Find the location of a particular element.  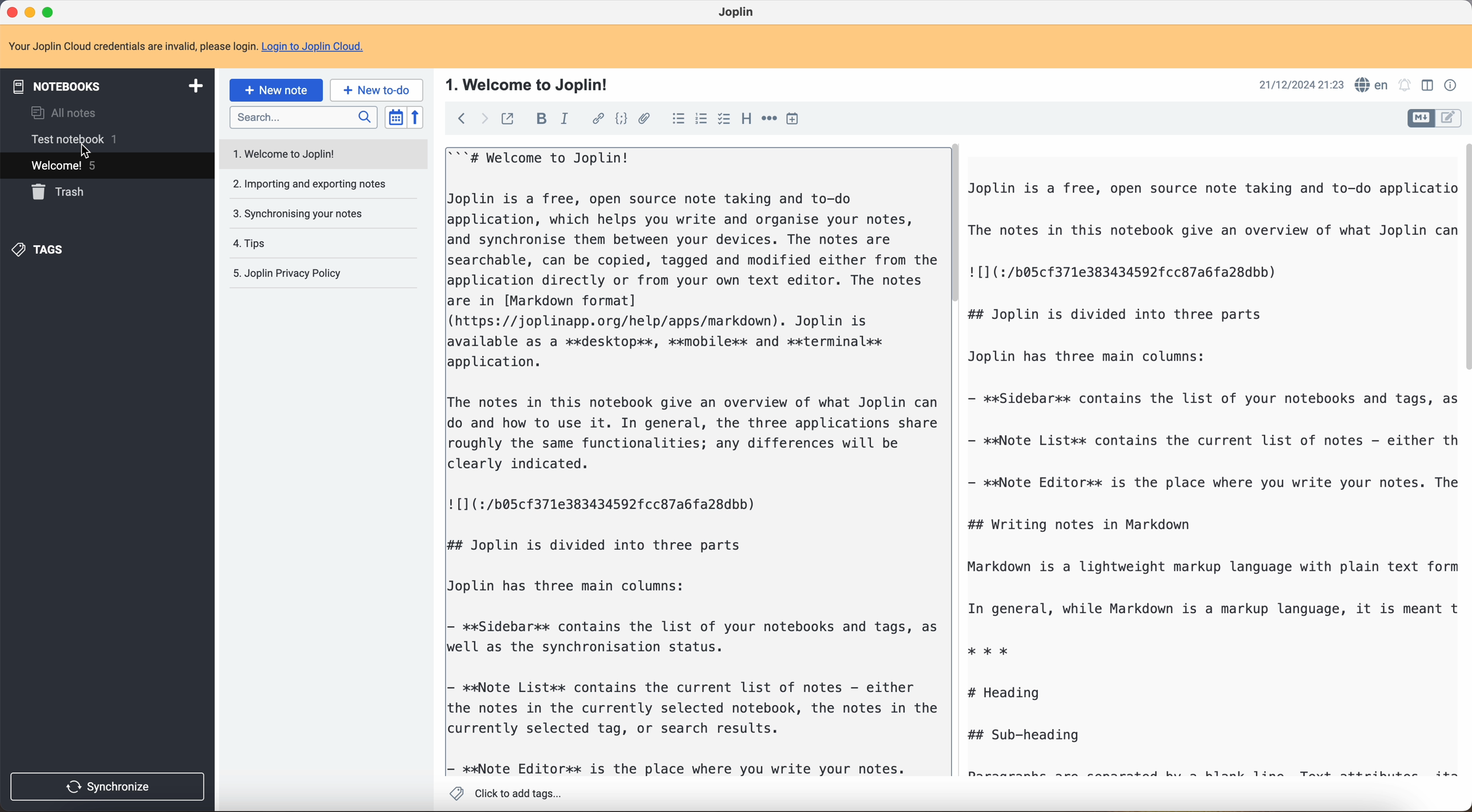

close program is located at coordinates (10, 12).